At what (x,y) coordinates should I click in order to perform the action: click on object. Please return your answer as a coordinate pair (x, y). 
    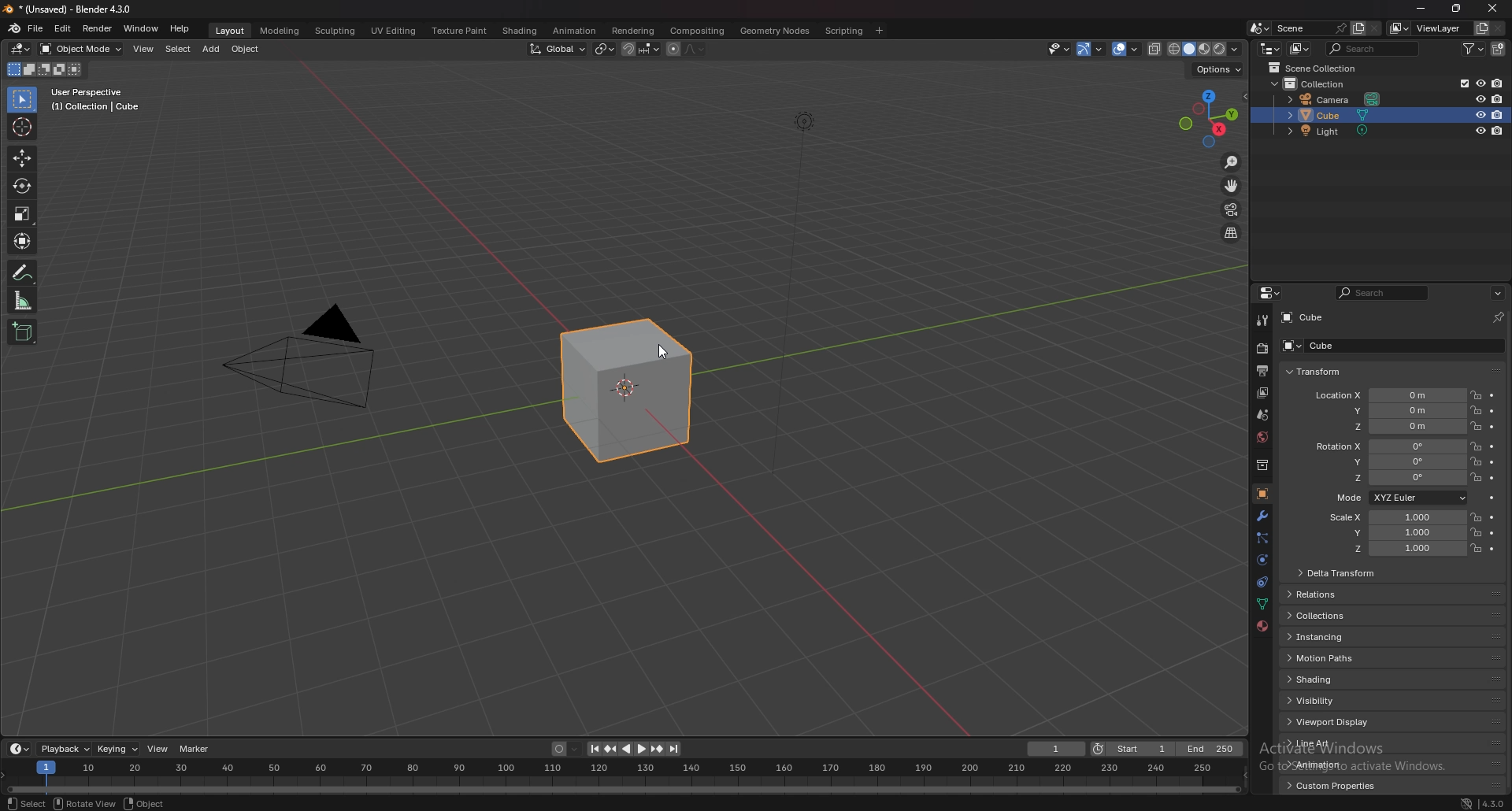
    Looking at the image, I should click on (1262, 494).